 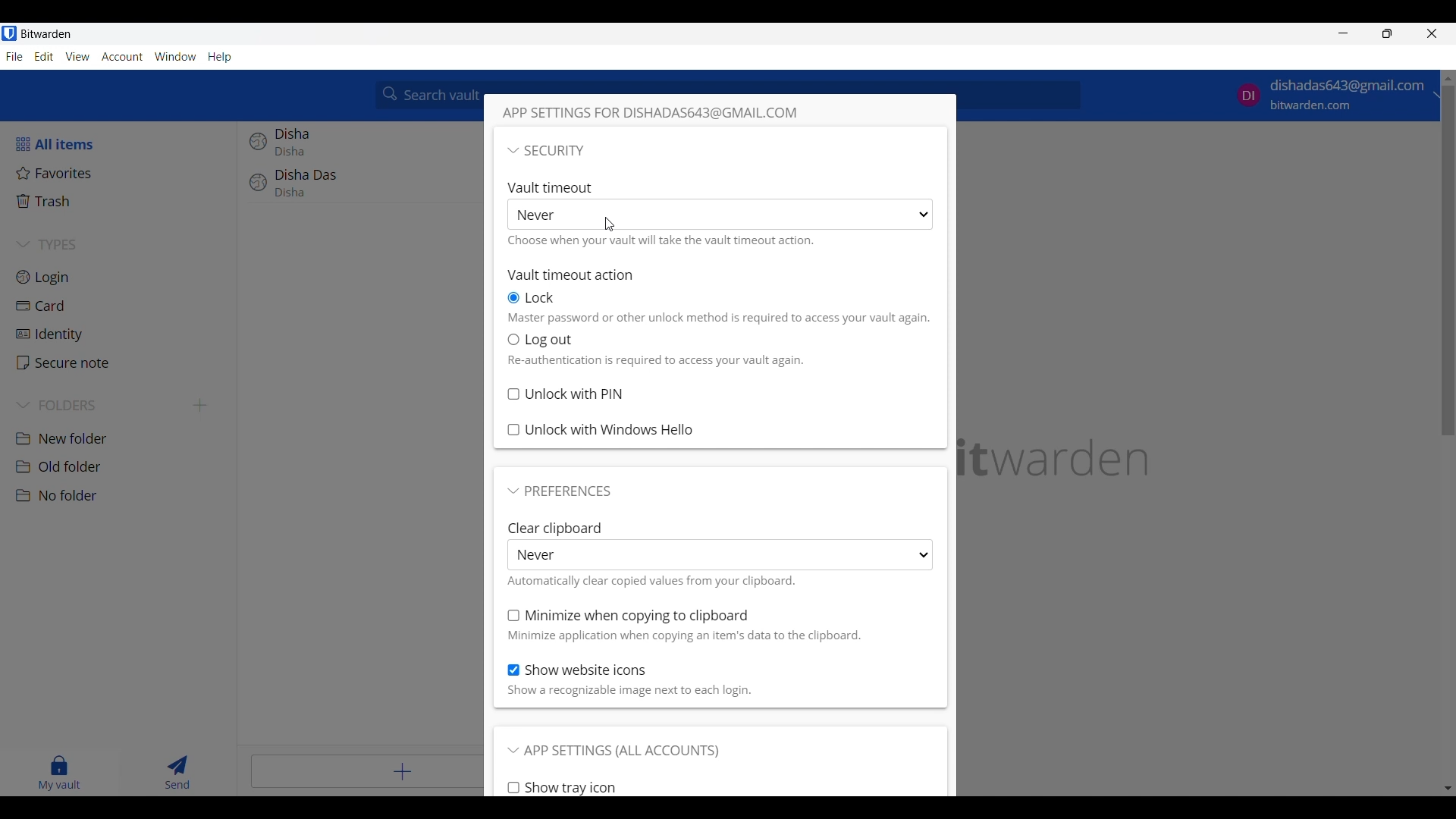 What do you see at coordinates (123, 244) in the screenshot?
I see `Collapse Types section` at bounding box center [123, 244].